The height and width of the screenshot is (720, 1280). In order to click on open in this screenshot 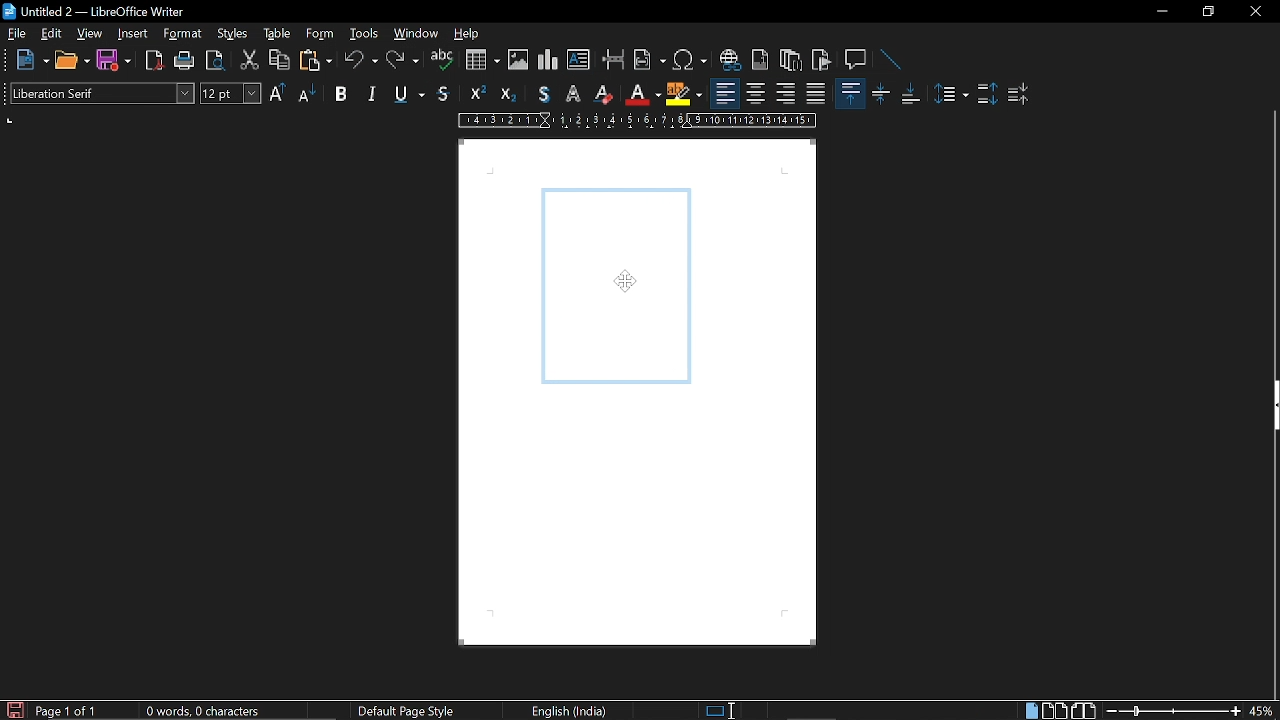, I will do `click(72, 61)`.